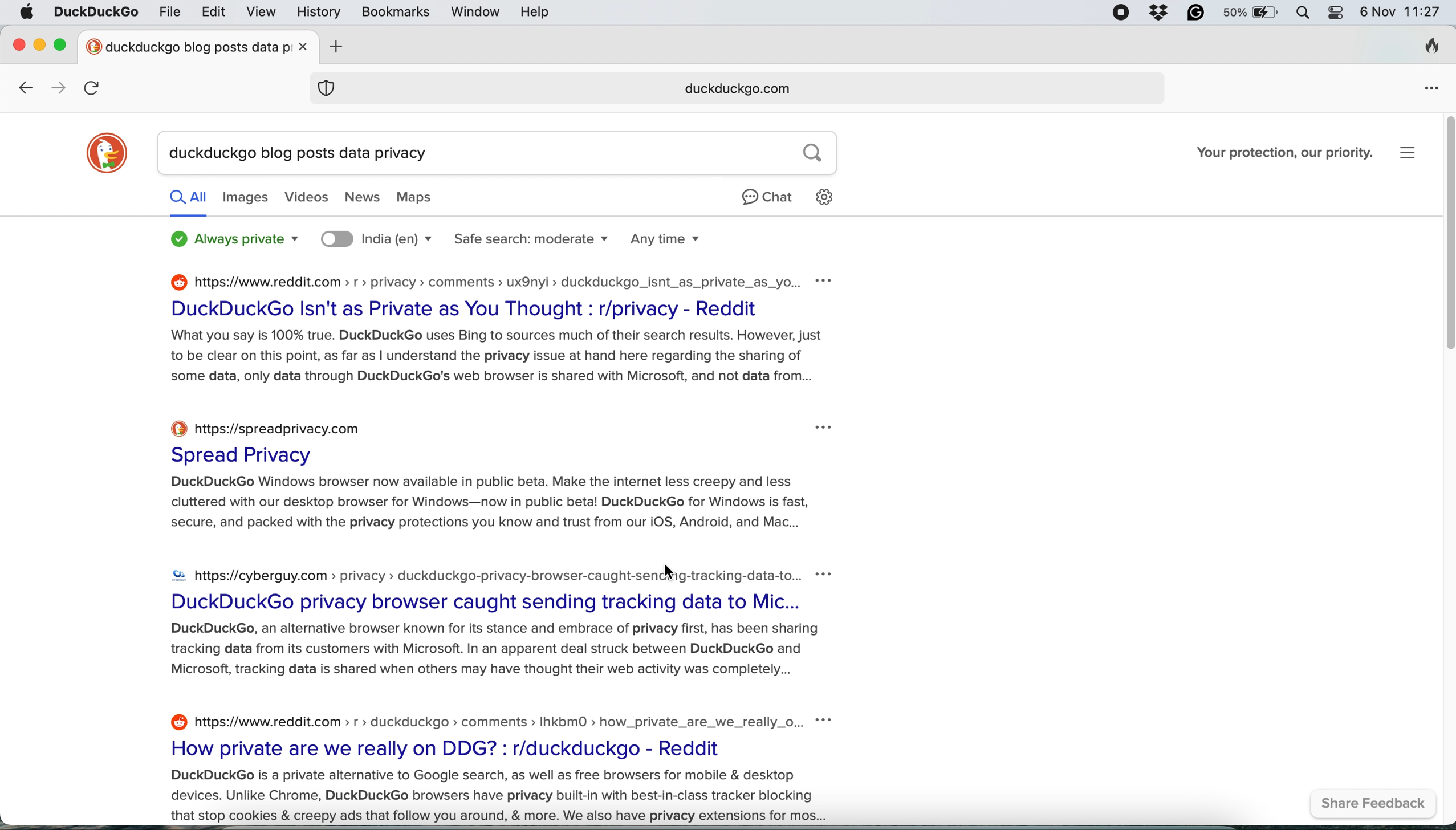 This screenshot has width=1456, height=830. I want to click on dropbox, so click(1154, 13).